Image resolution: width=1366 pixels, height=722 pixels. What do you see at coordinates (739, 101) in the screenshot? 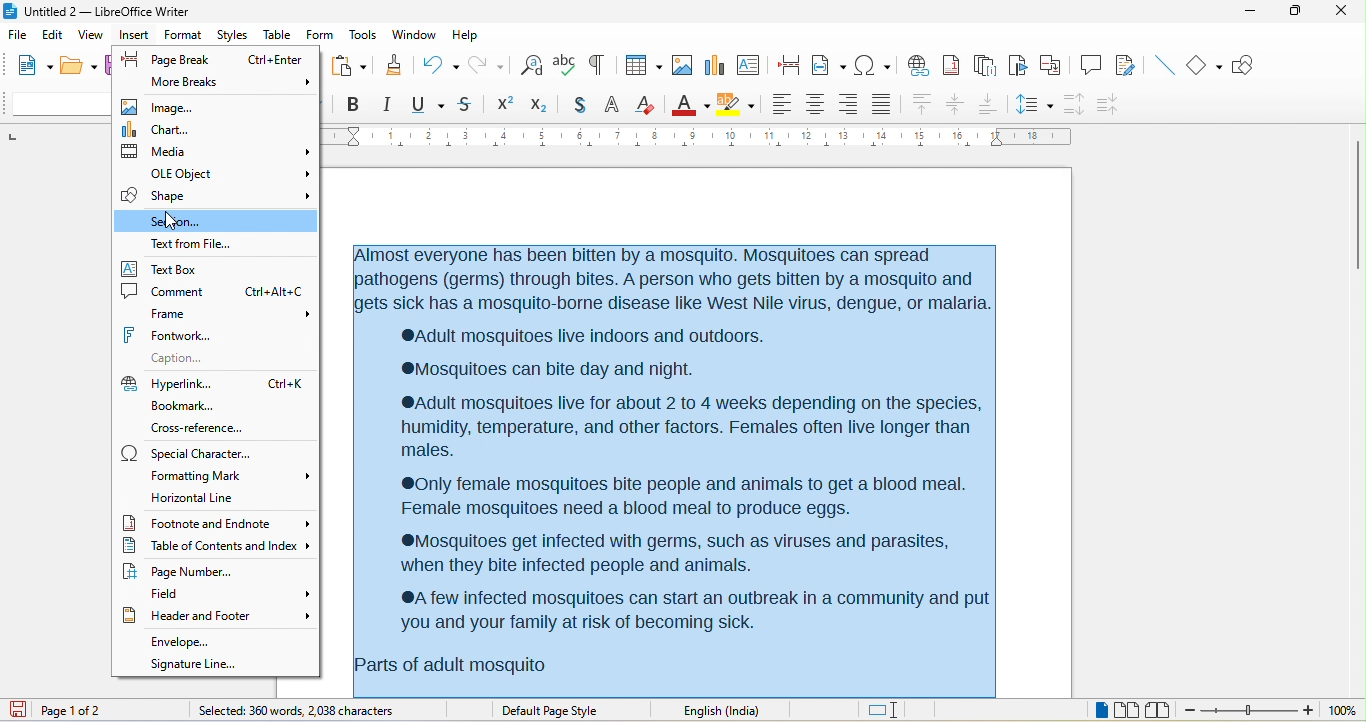
I see `background color` at bounding box center [739, 101].